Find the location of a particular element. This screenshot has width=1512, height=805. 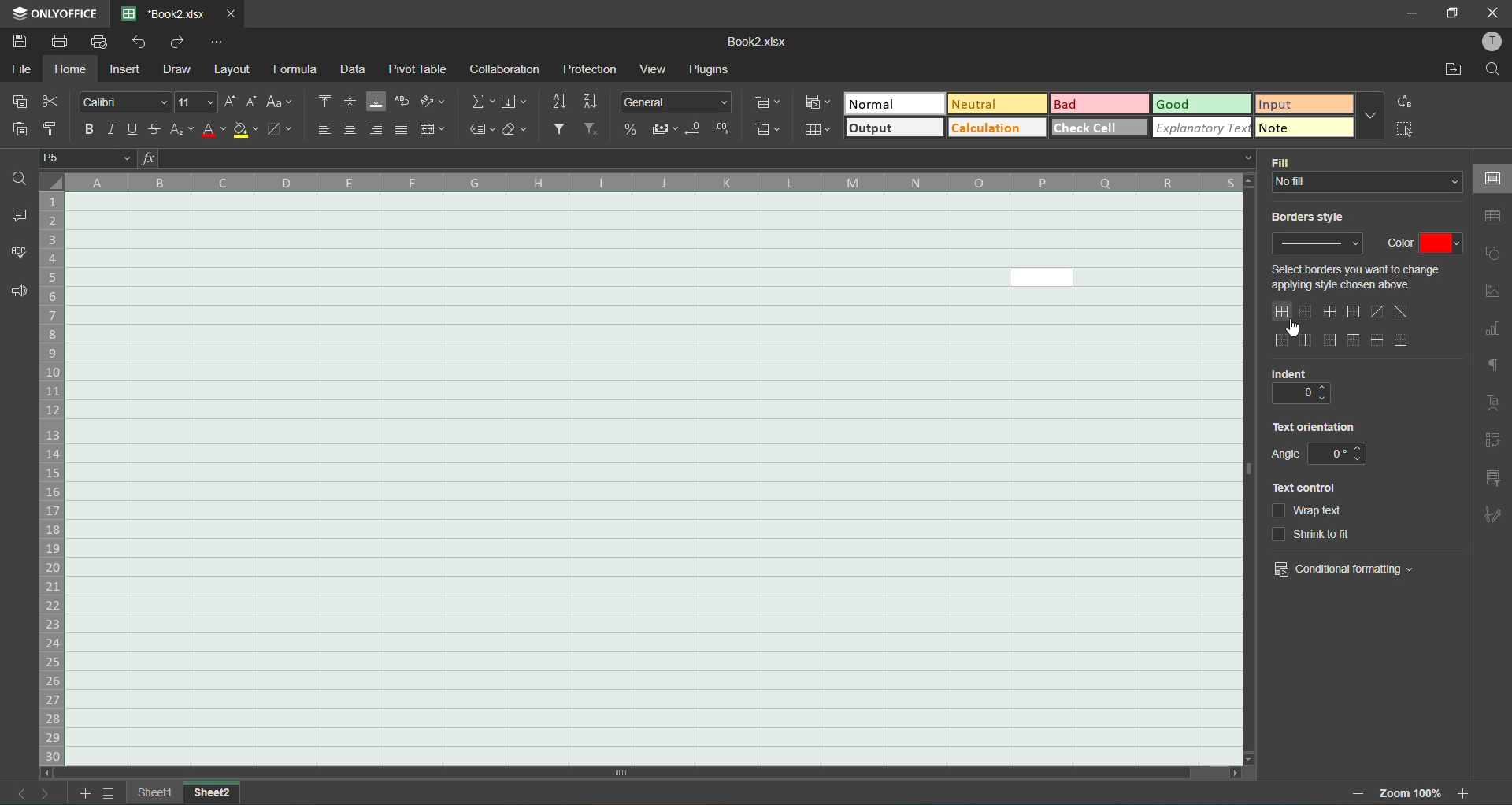

pivot table is located at coordinates (419, 69).